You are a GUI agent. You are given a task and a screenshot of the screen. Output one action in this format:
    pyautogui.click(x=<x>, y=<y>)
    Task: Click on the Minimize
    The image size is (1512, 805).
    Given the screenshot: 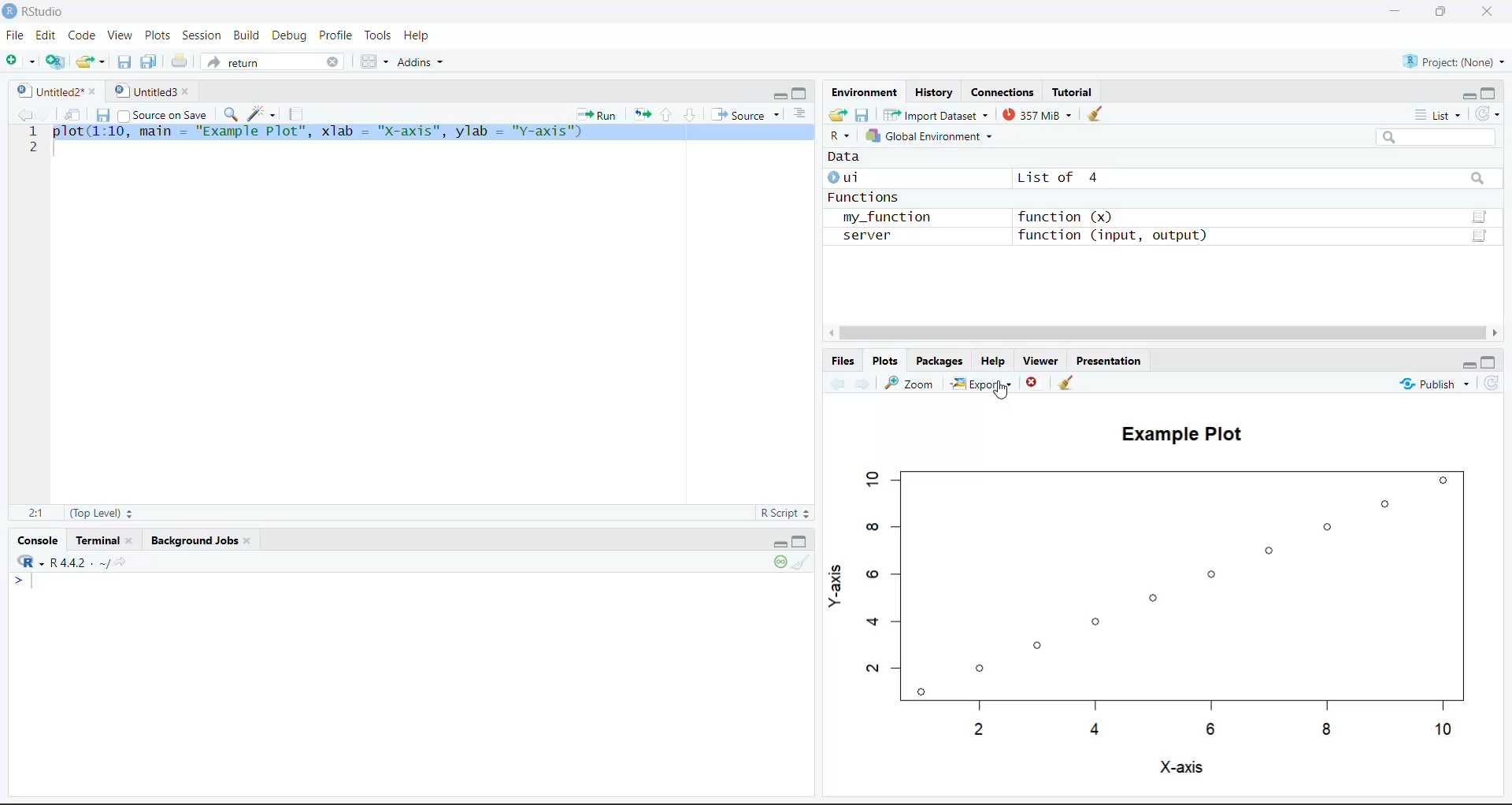 What is the action you would take?
    pyautogui.click(x=1467, y=95)
    